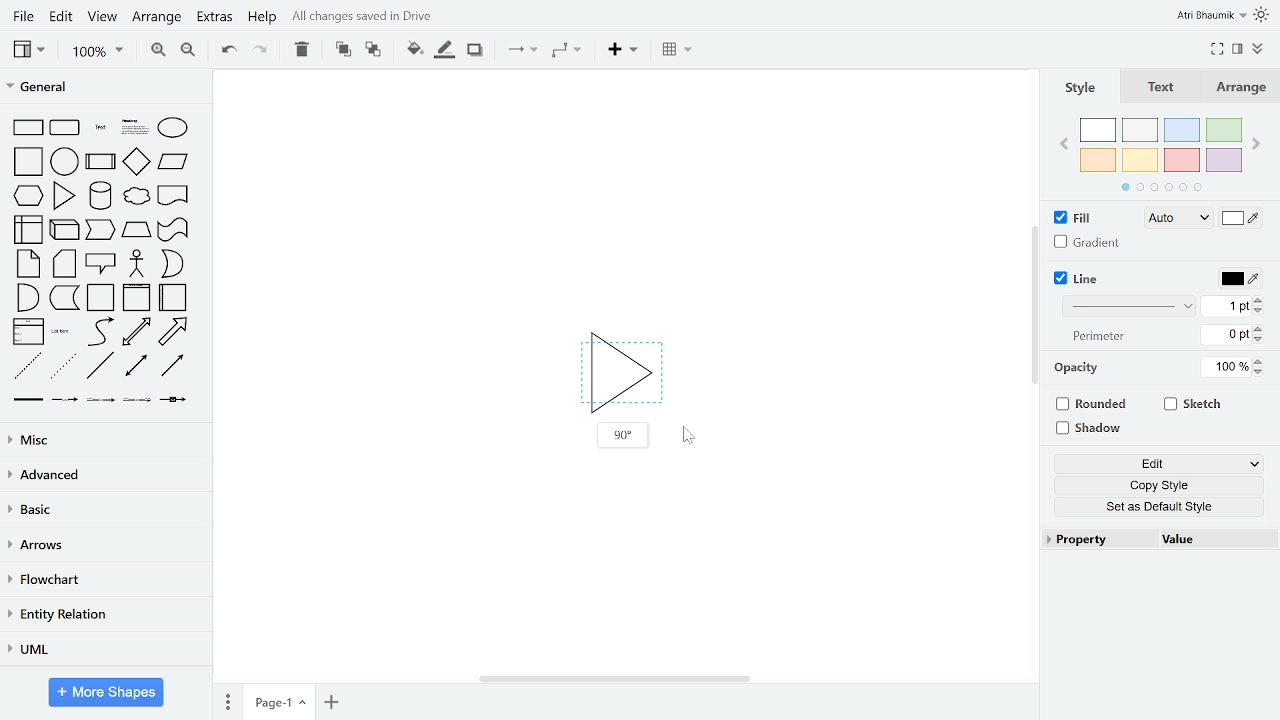 Image resolution: width=1280 pixels, height=720 pixels. I want to click on and, so click(26, 298).